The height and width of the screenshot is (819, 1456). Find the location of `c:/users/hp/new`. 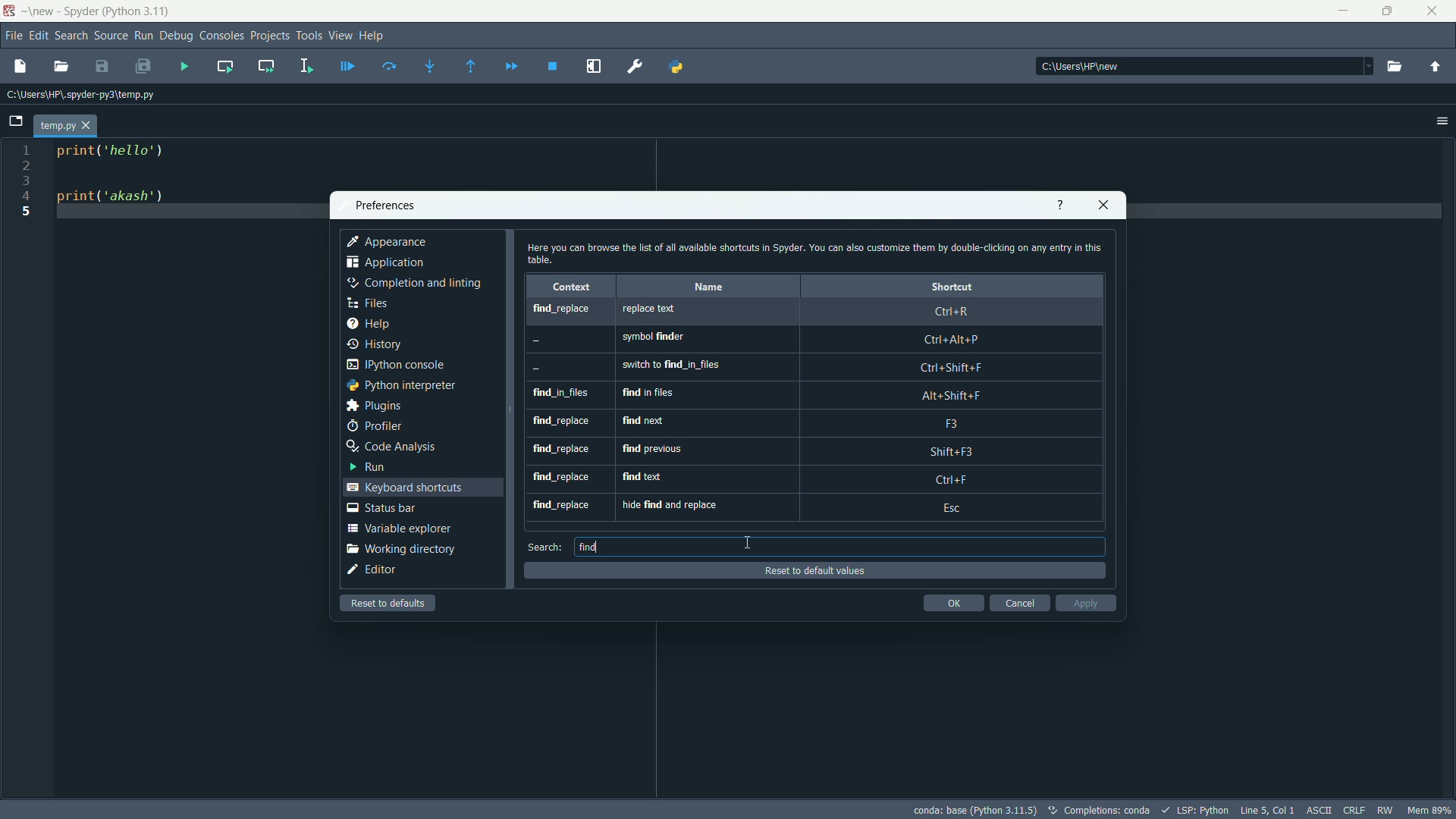

c:/users/hp/new is located at coordinates (1203, 66).